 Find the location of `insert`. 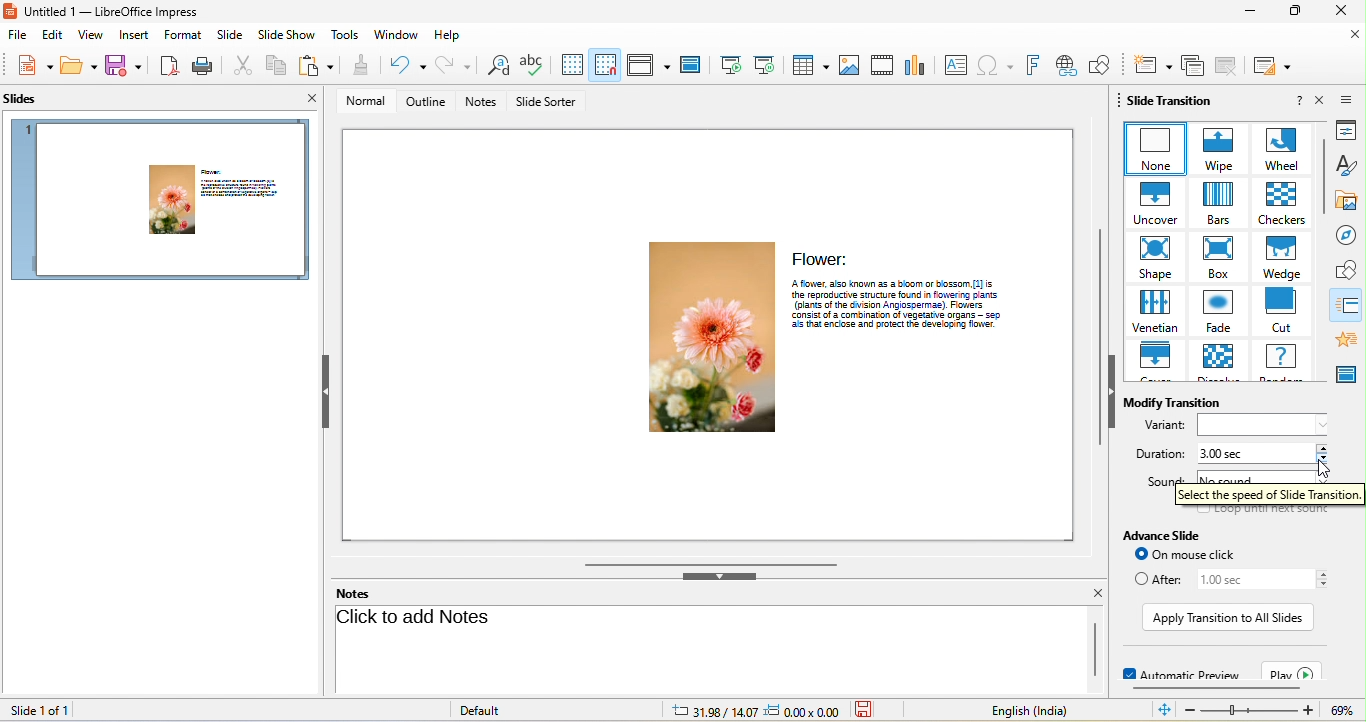

insert is located at coordinates (135, 35).